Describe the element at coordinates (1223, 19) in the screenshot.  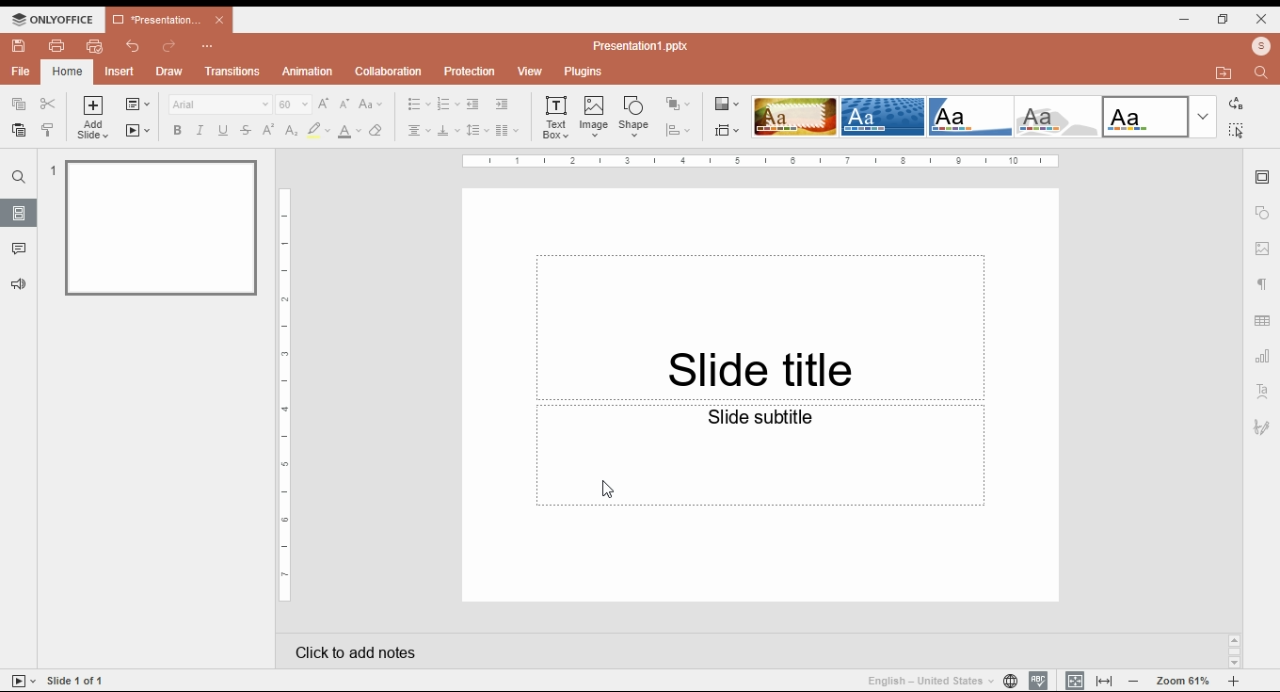
I see `restore` at that location.